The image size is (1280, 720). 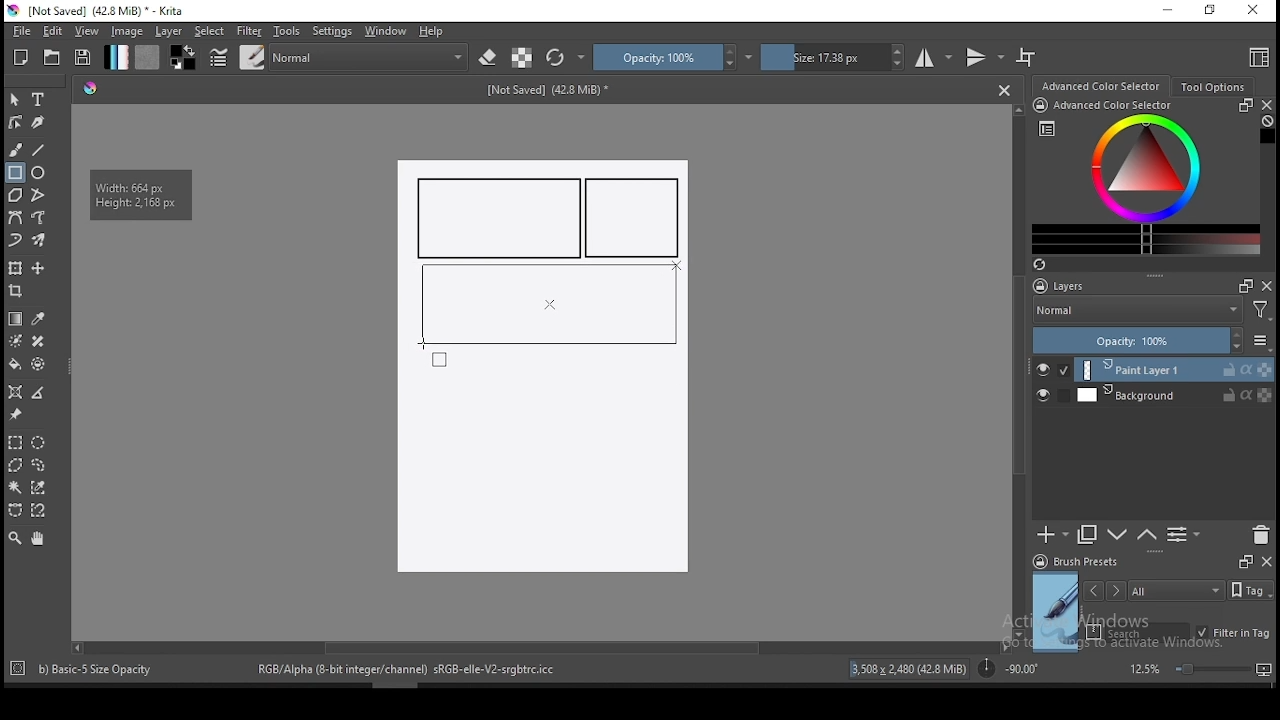 What do you see at coordinates (15, 241) in the screenshot?
I see `dynamic brush tool` at bounding box center [15, 241].